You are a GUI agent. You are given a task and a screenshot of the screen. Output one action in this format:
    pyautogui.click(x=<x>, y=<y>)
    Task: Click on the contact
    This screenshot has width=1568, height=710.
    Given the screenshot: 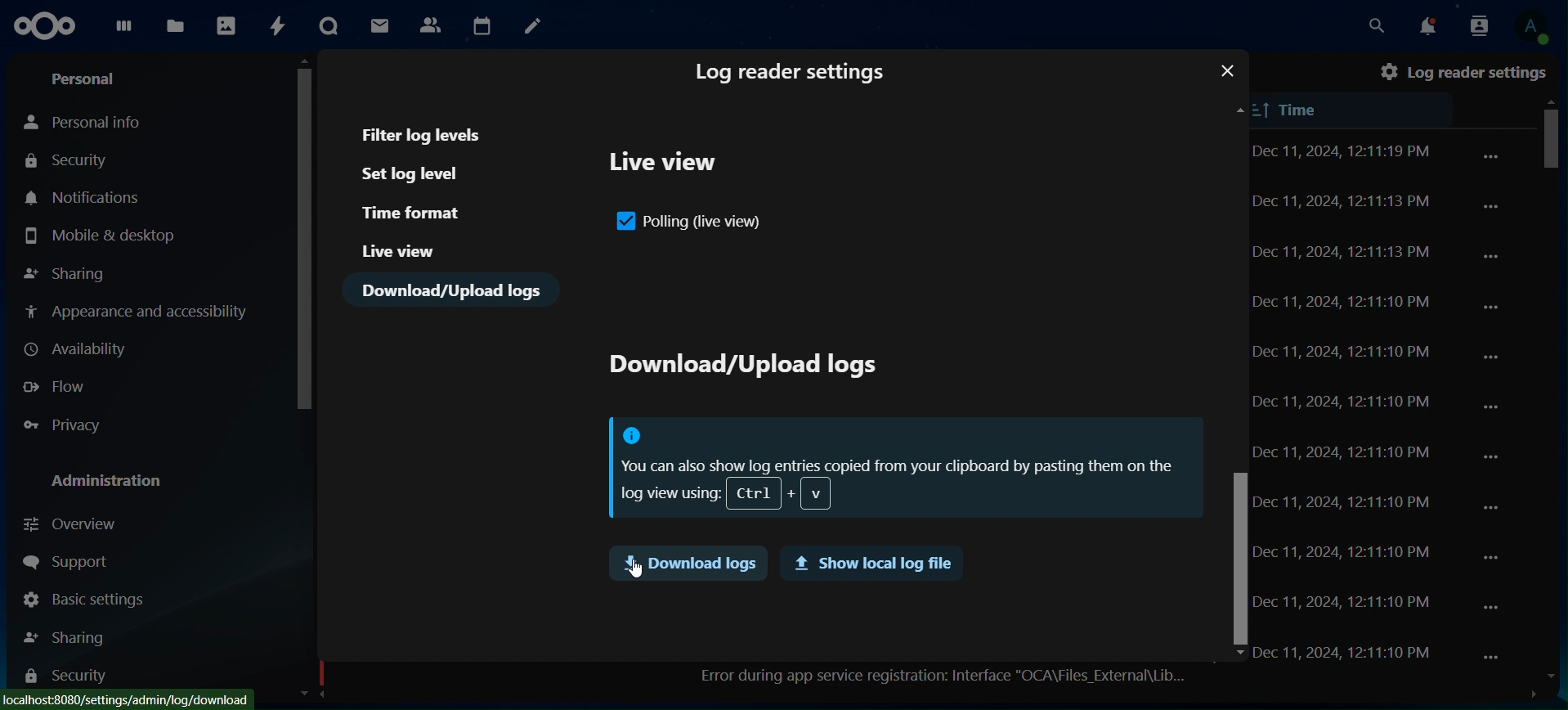 What is the action you would take?
    pyautogui.click(x=432, y=25)
    